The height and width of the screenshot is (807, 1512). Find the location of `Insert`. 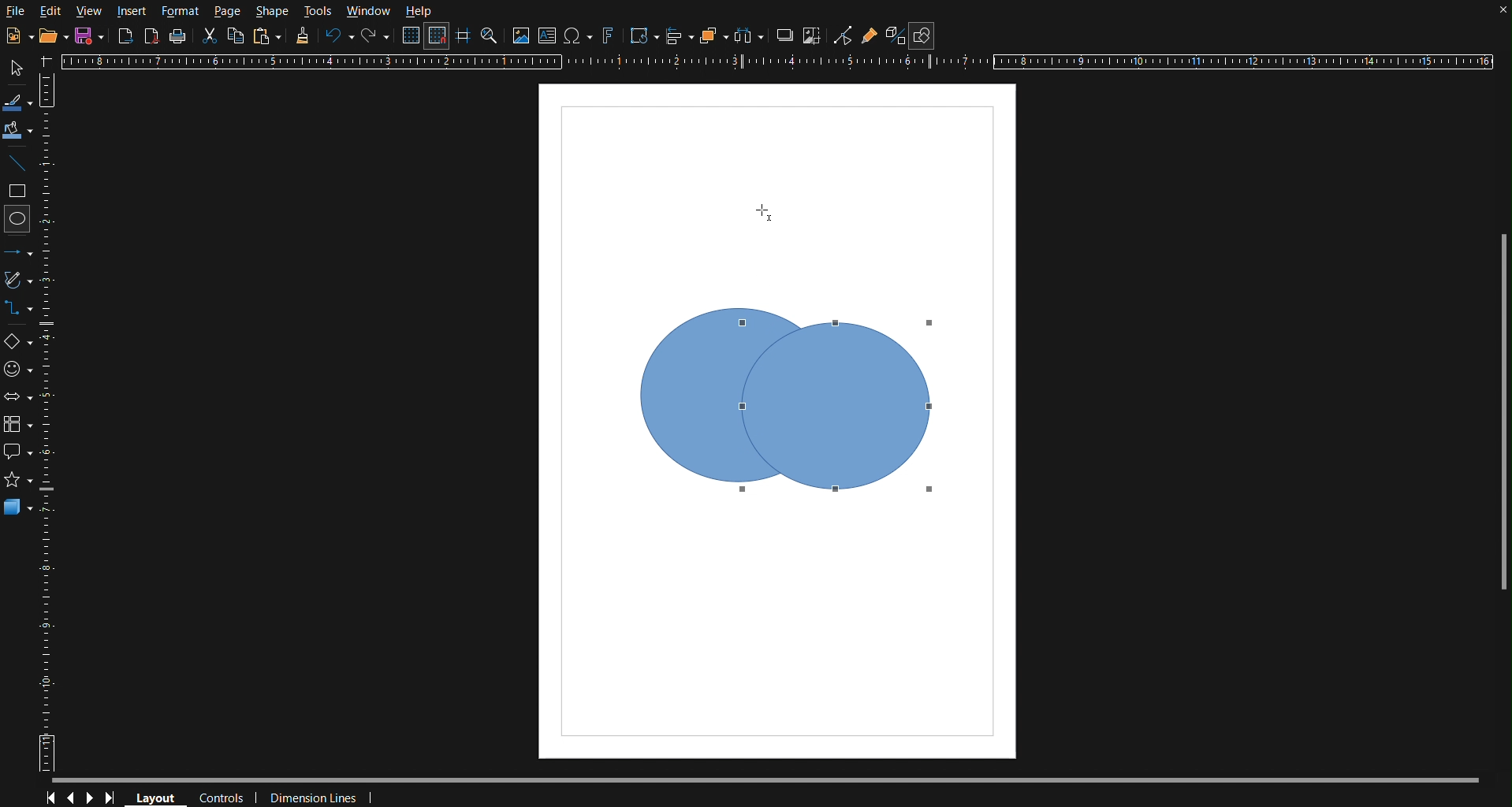

Insert is located at coordinates (131, 9).